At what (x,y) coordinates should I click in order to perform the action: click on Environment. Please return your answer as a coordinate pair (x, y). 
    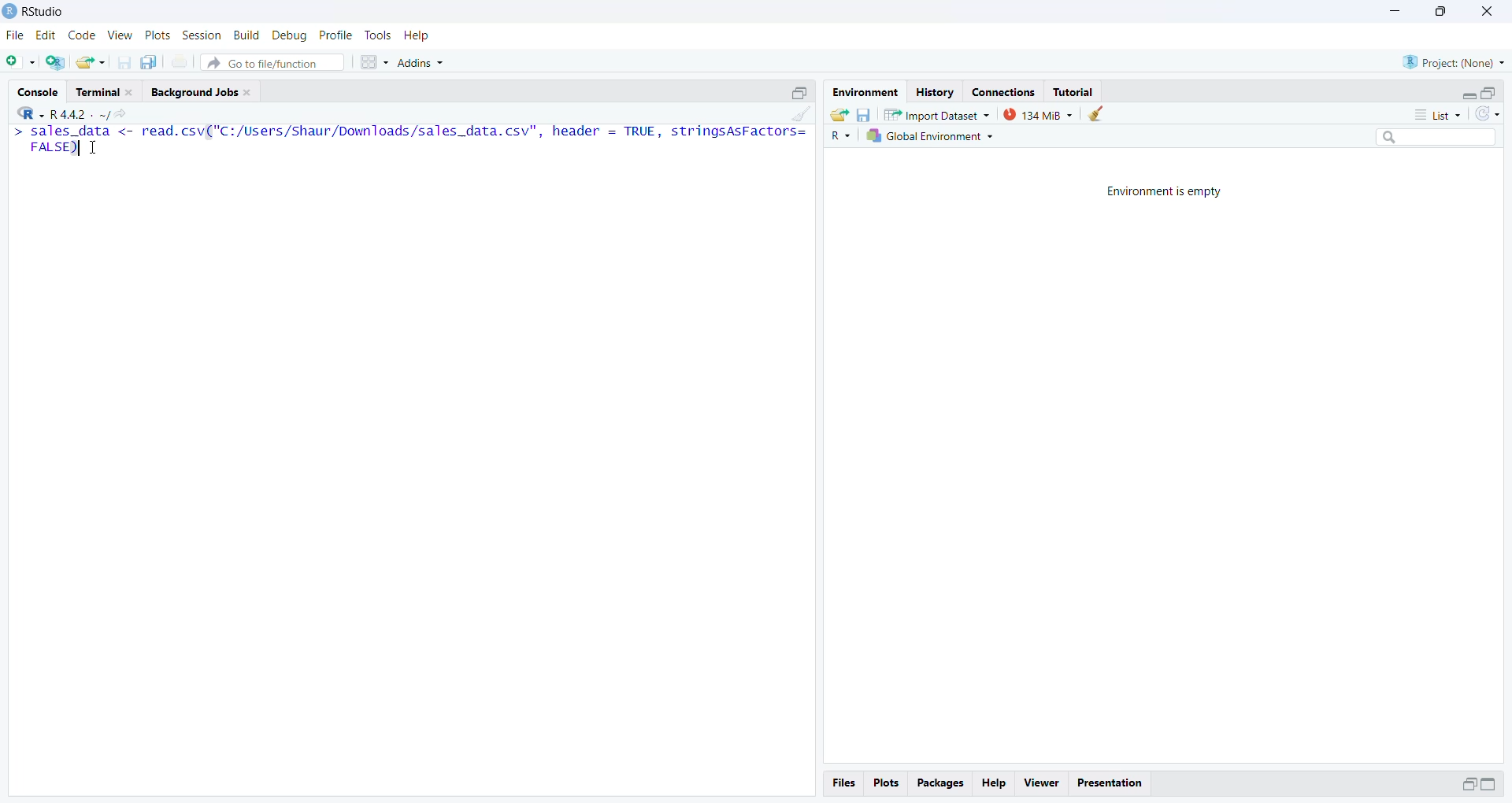
    Looking at the image, I should click on (863, 93).